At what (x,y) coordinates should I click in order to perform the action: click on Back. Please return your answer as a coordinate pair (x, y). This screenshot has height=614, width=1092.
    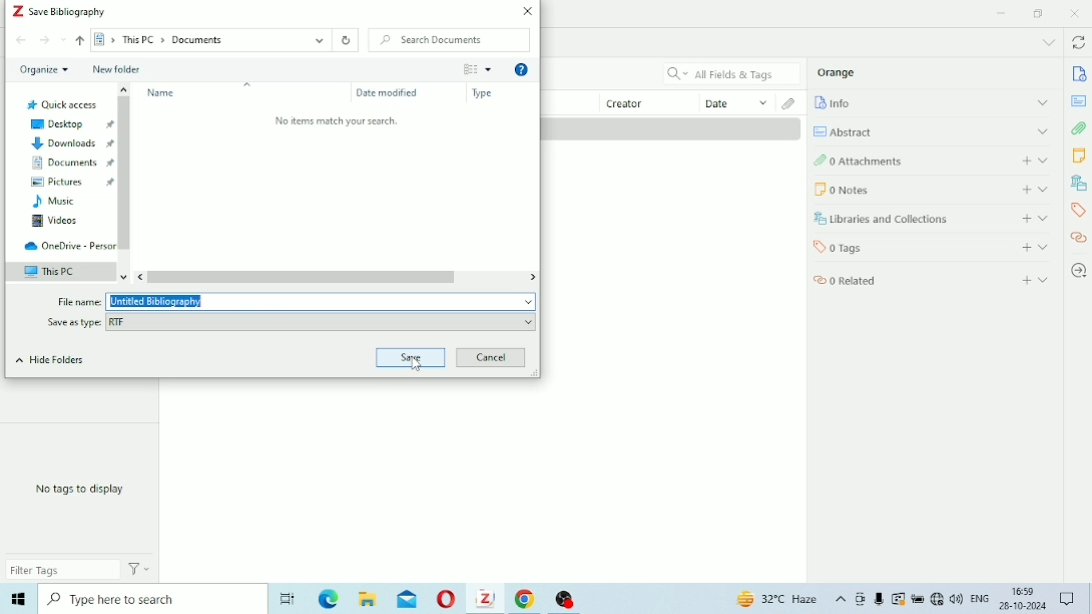
    Looking at the image, I should click on (21, 41).